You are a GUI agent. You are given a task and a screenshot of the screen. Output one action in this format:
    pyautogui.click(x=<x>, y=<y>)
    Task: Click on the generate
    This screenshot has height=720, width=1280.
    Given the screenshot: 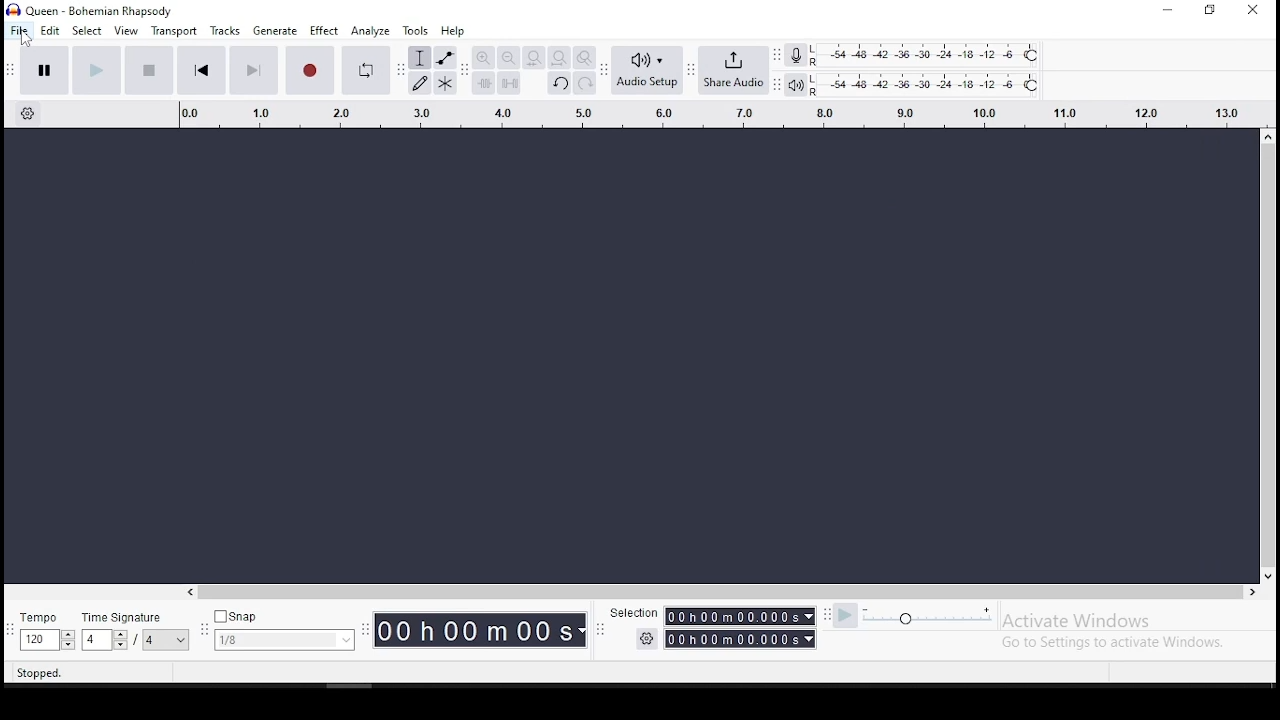 What is the action you would take?
    pyautogui.click(x=275, y=31)
    